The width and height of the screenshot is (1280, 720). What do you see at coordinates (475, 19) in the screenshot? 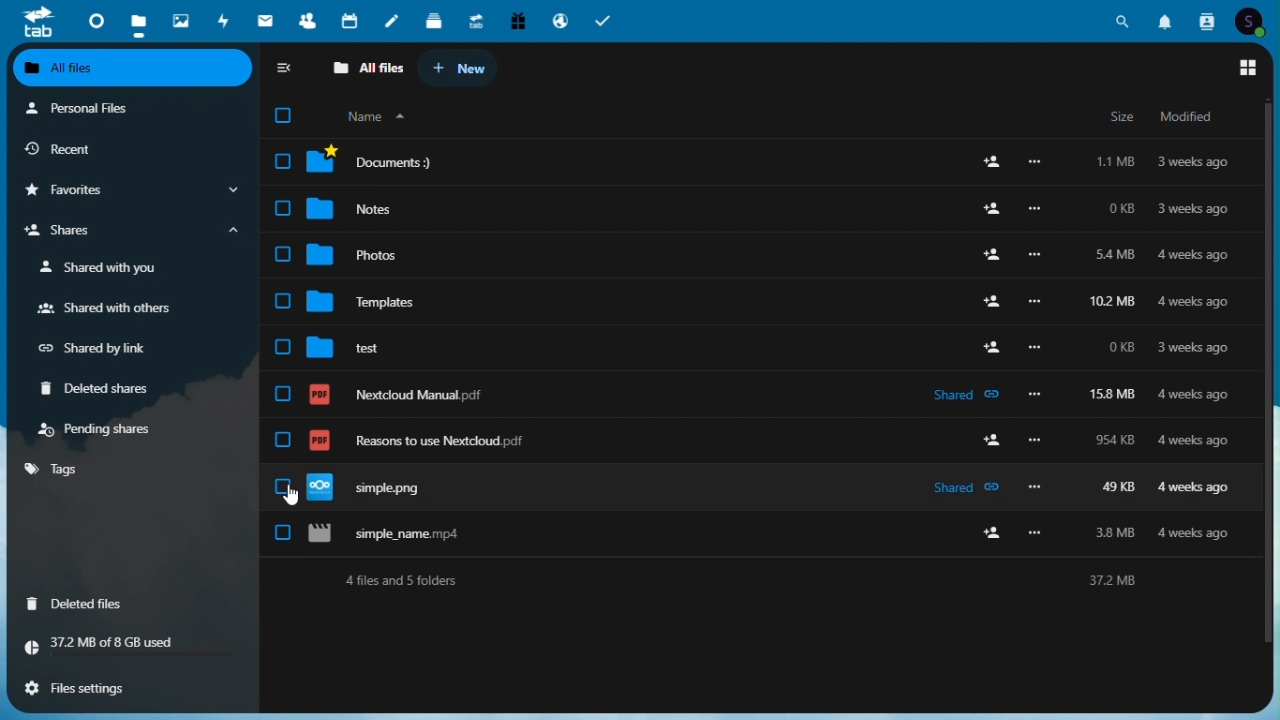
I see `upgrade` at bounding box center [475, 19].